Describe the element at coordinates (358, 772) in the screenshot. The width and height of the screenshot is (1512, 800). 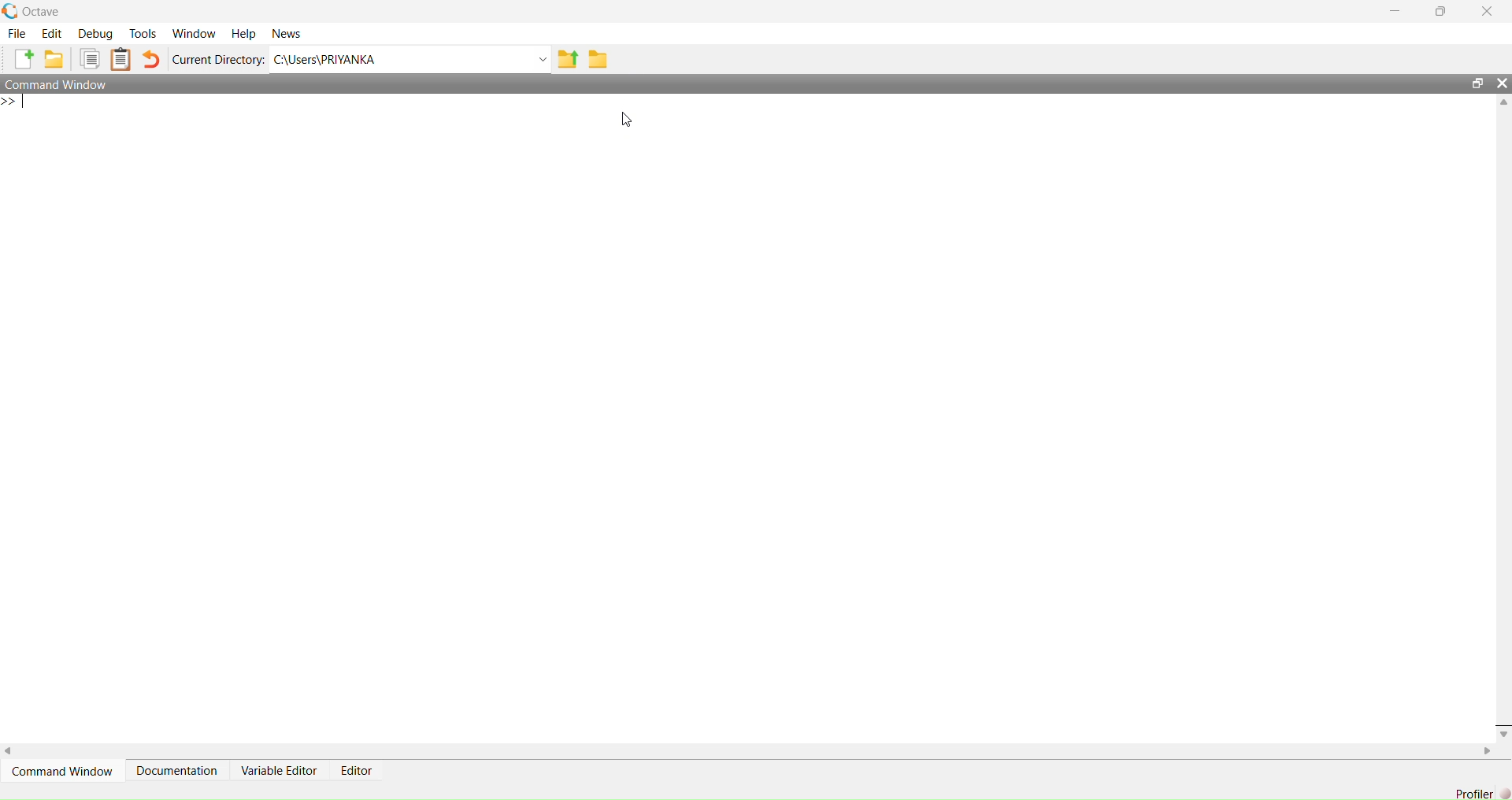
I see `Editor` at that location.